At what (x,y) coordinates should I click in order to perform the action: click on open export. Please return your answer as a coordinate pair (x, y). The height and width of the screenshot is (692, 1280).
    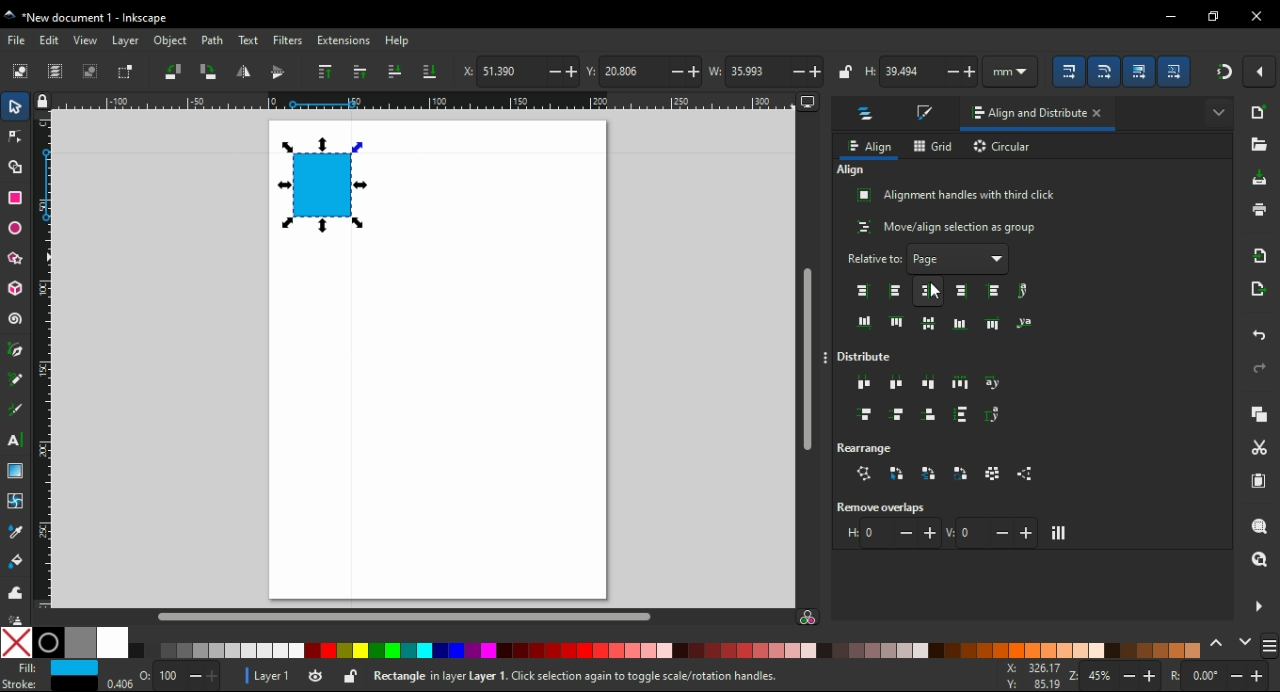
    Looking at the image, I should click on (1259, 289).